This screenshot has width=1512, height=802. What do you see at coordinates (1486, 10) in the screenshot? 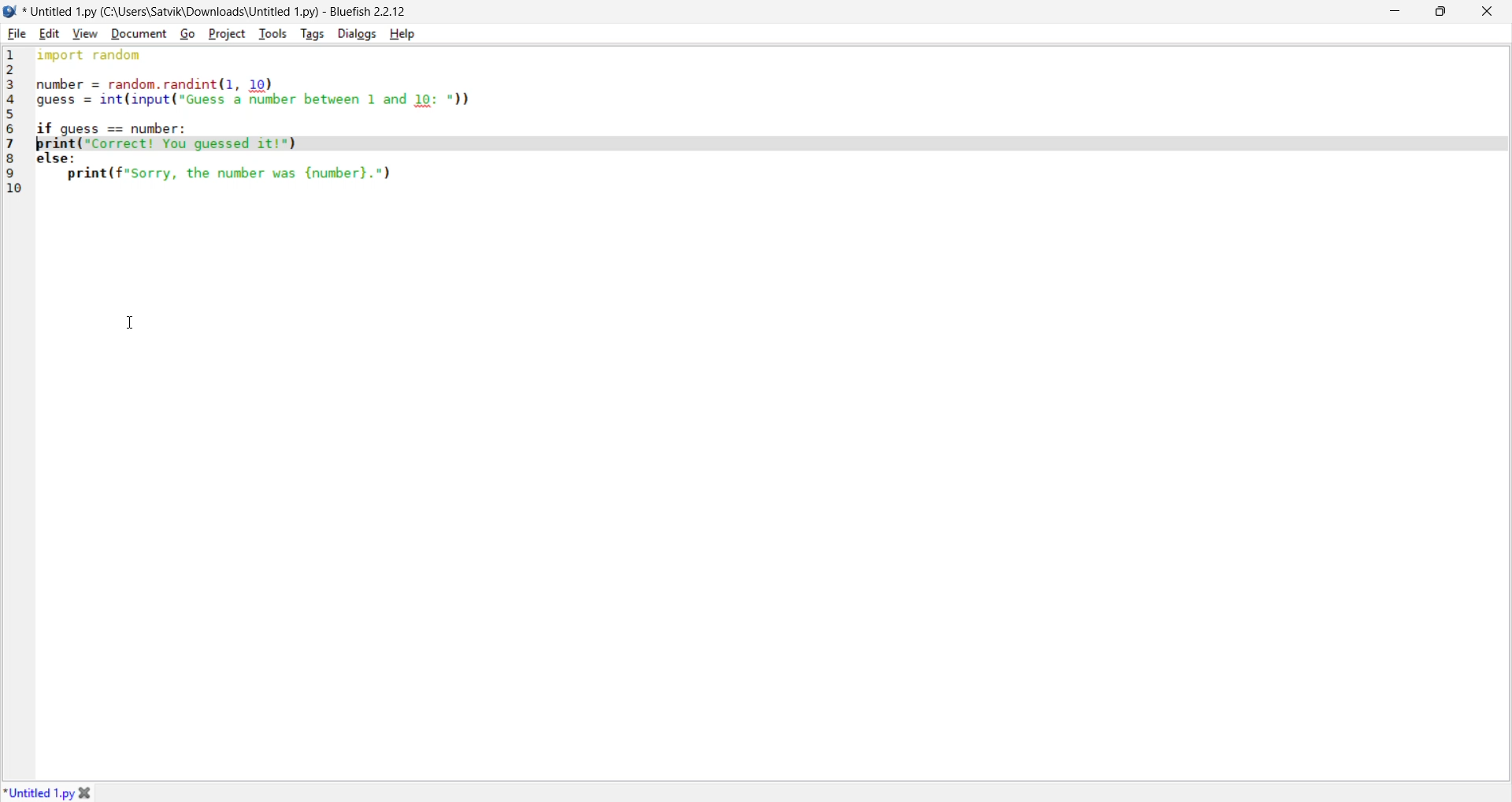
I see `close` at bounding box center [1486, 10].